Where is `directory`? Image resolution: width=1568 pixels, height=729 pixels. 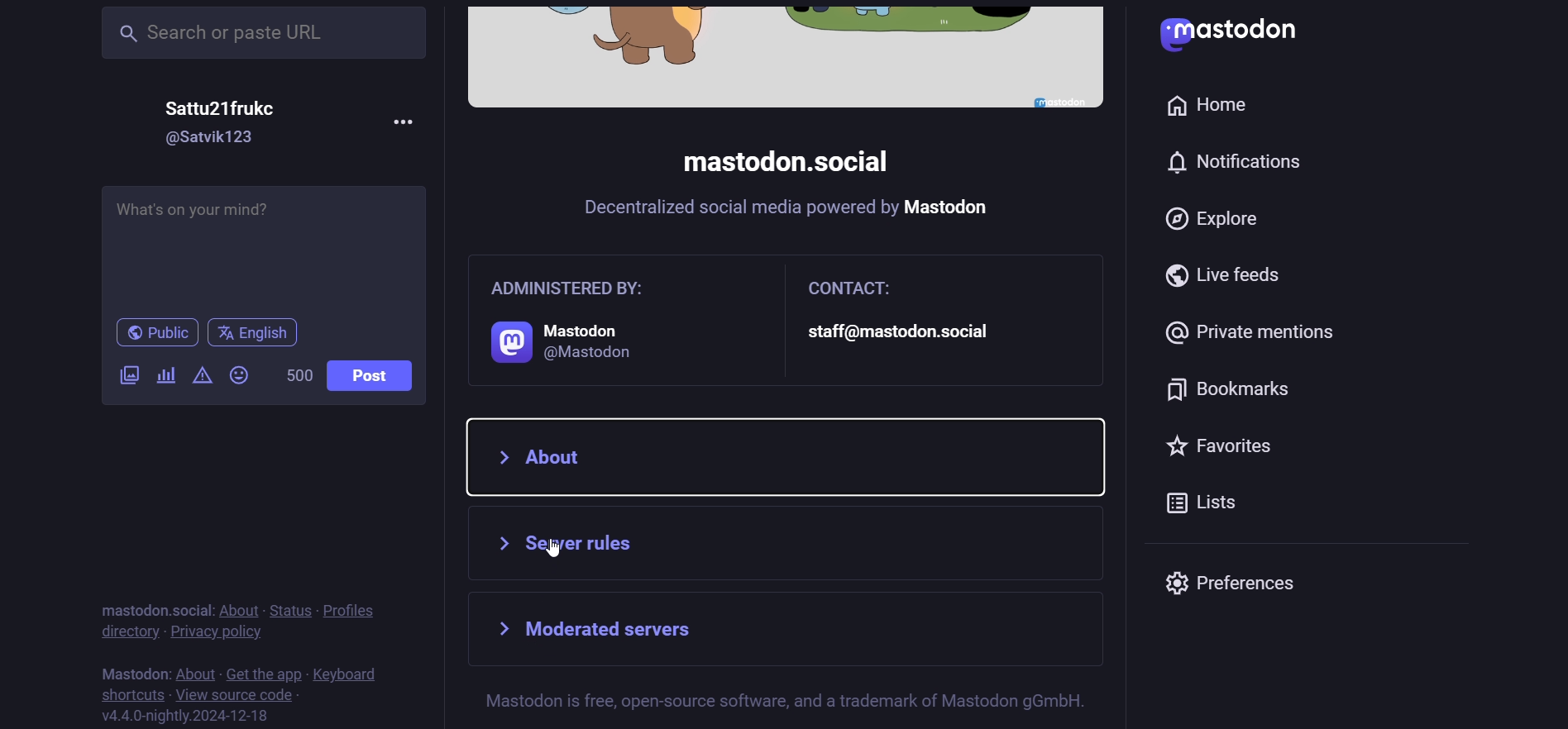
directory is located at coordinates (126, 631).